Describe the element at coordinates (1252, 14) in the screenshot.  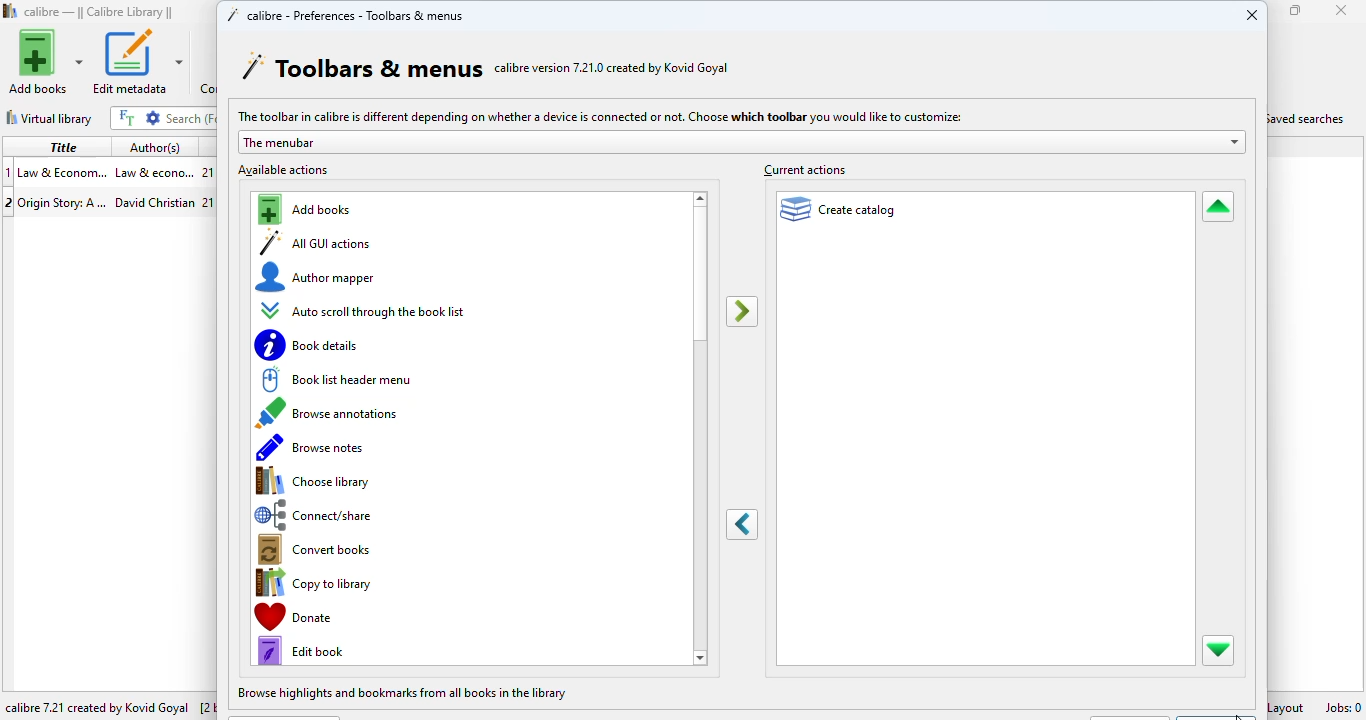
I see `close` at that location.